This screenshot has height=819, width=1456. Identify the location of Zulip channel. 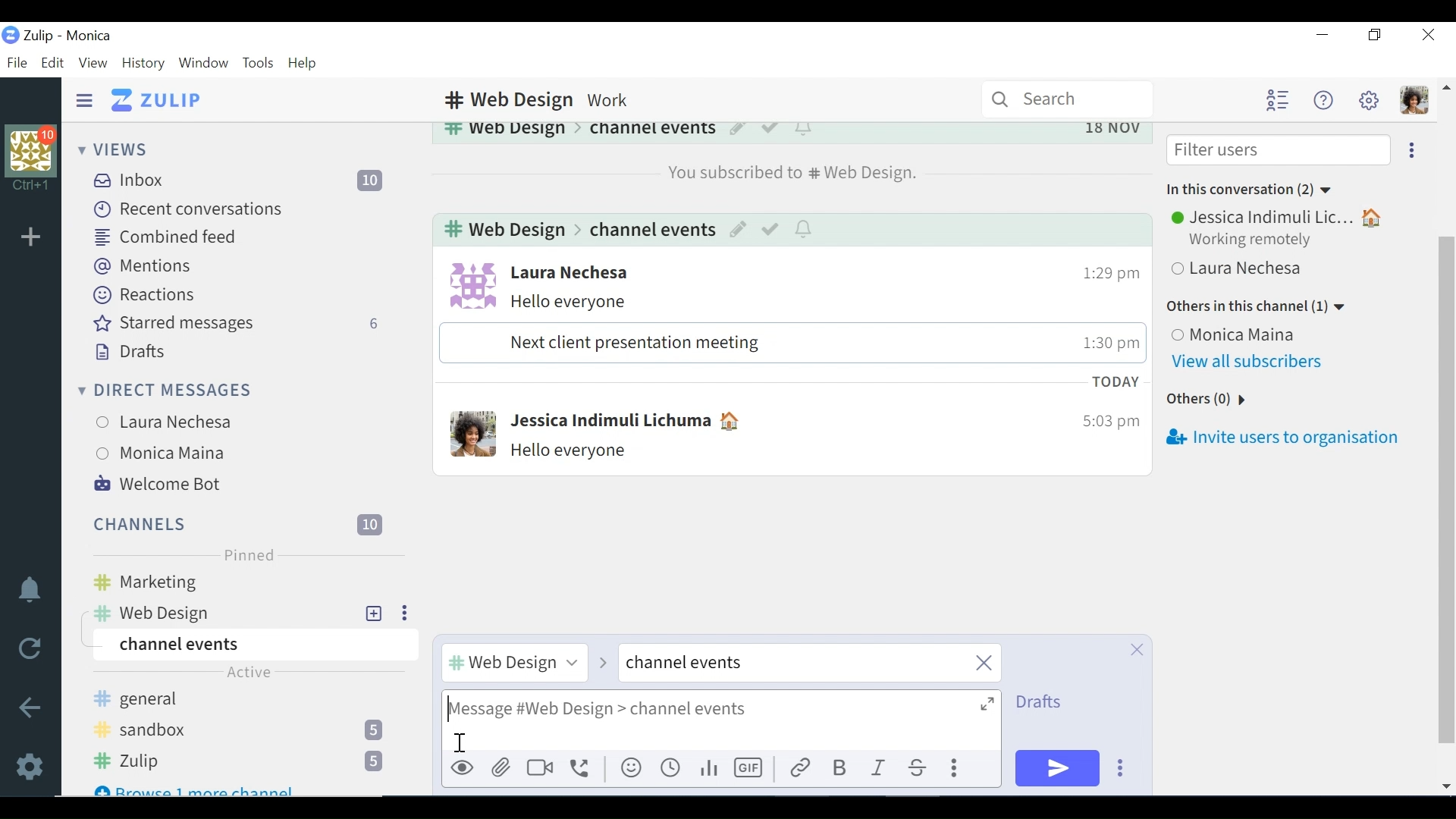
(248, 762).